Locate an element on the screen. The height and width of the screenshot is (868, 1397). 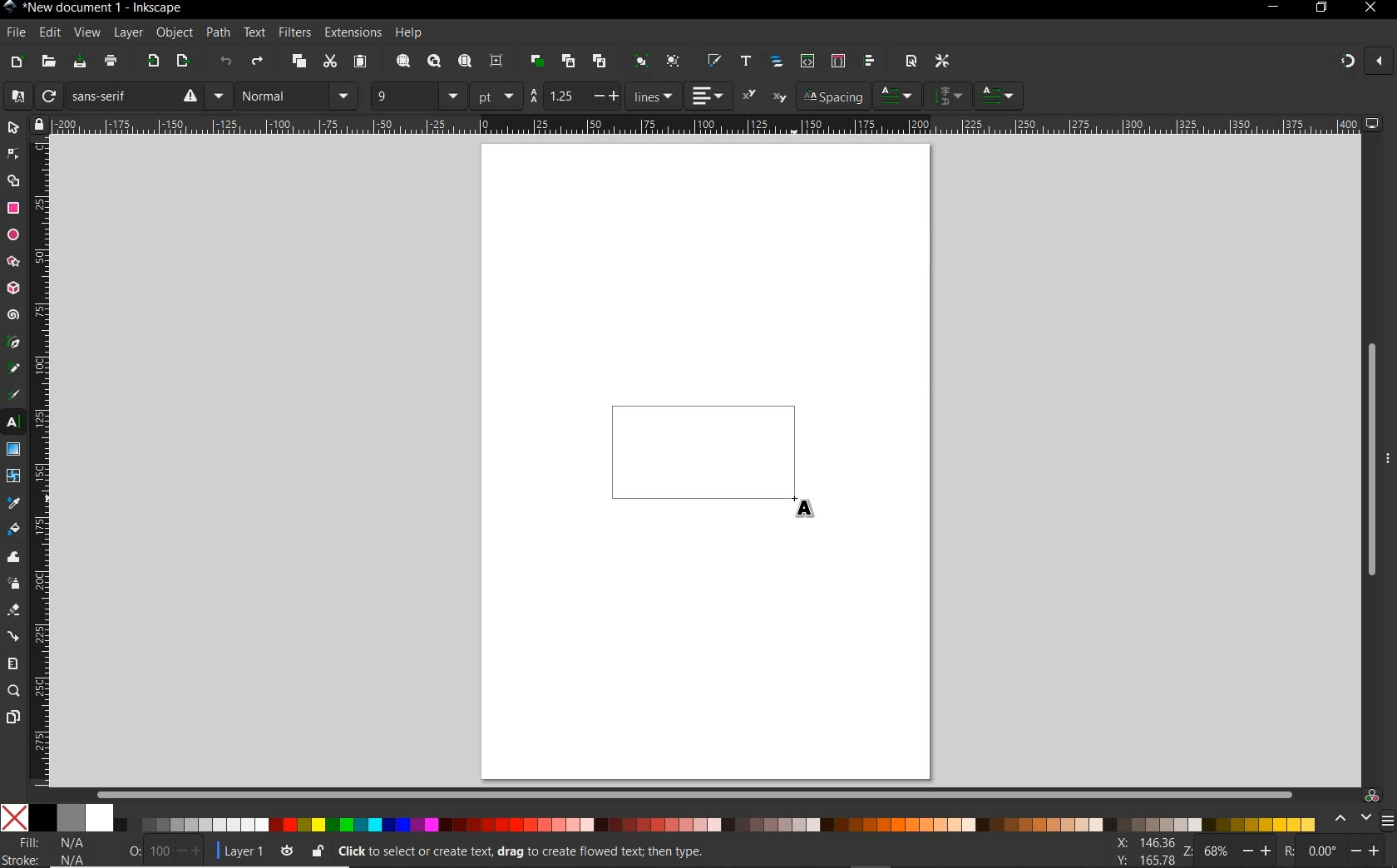
open xml editor is located at coordinates (806, 61).